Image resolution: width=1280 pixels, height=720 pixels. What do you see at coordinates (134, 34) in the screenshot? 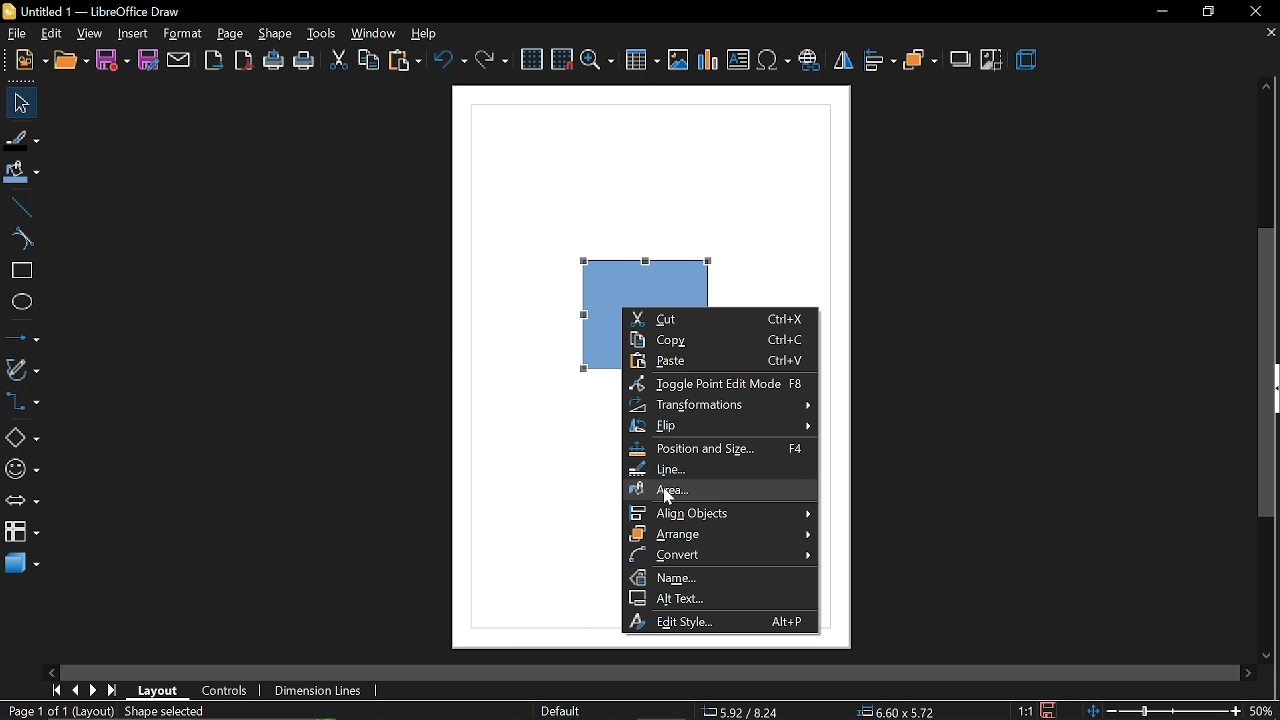
I see `Insert` at bounding box center [134, 34].